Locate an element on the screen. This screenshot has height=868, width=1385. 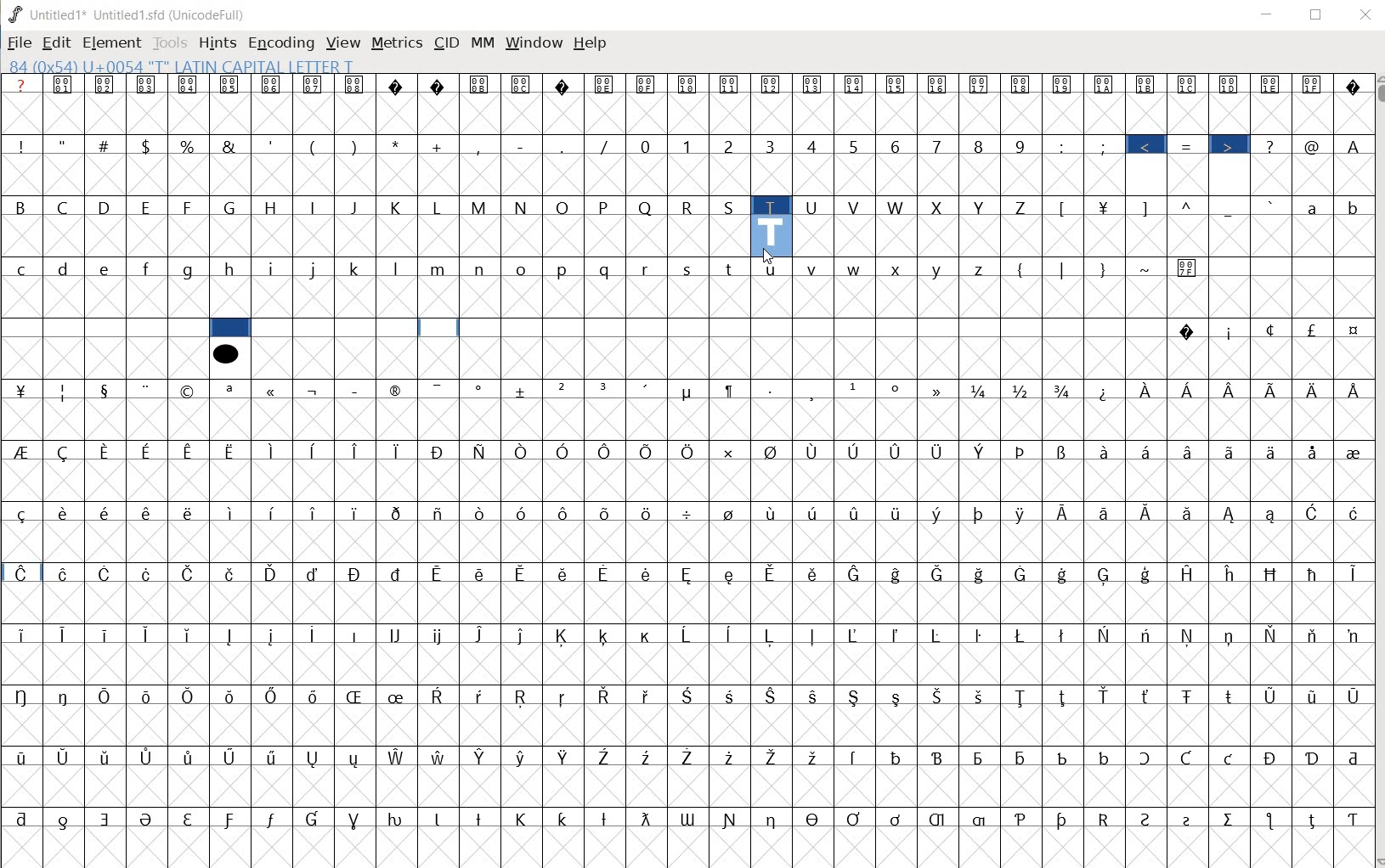
empty spaces is located at coordinates (1288, 267).